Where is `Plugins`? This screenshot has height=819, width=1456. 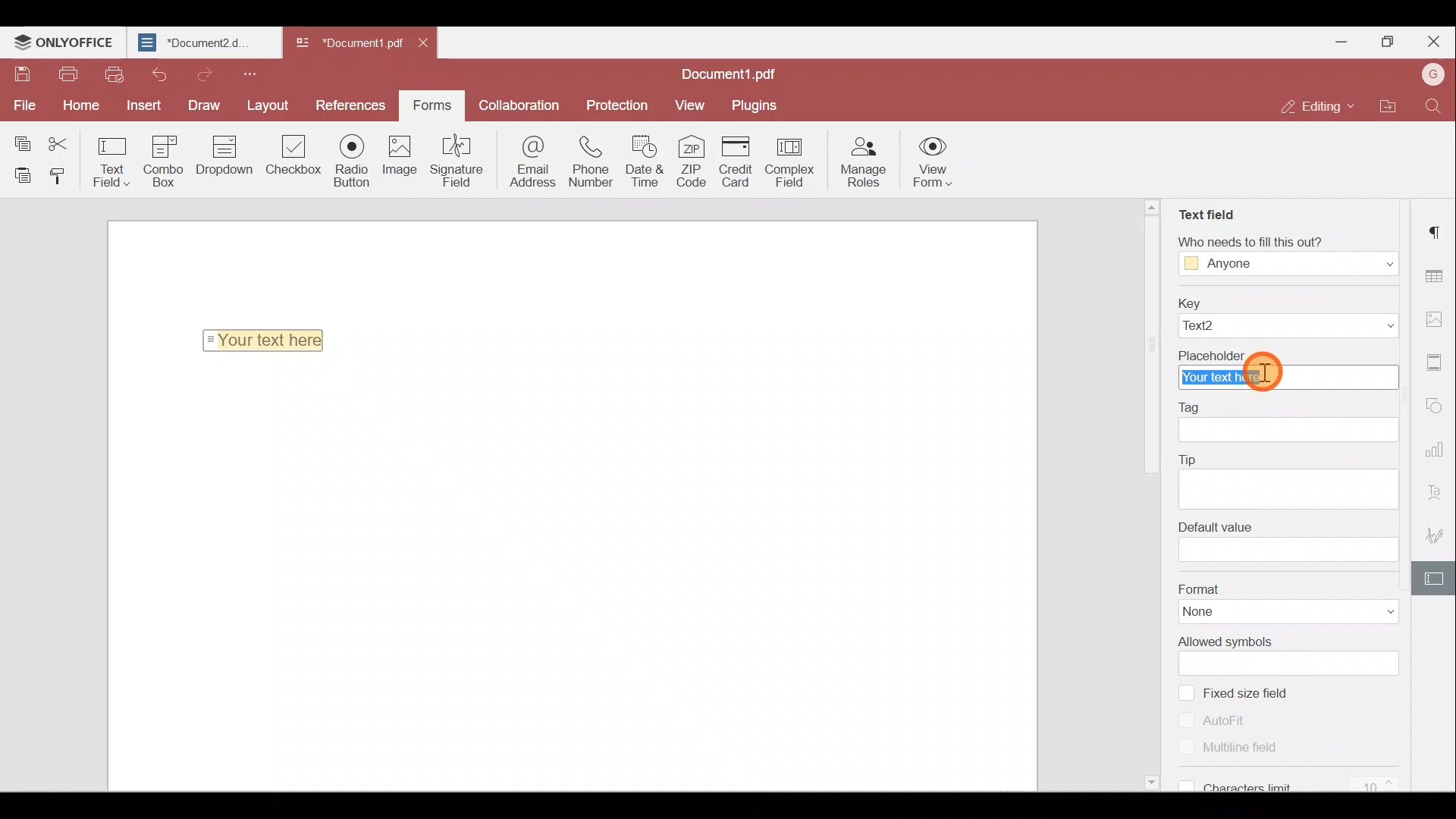
Plugins is located at coordinates (757, 105).